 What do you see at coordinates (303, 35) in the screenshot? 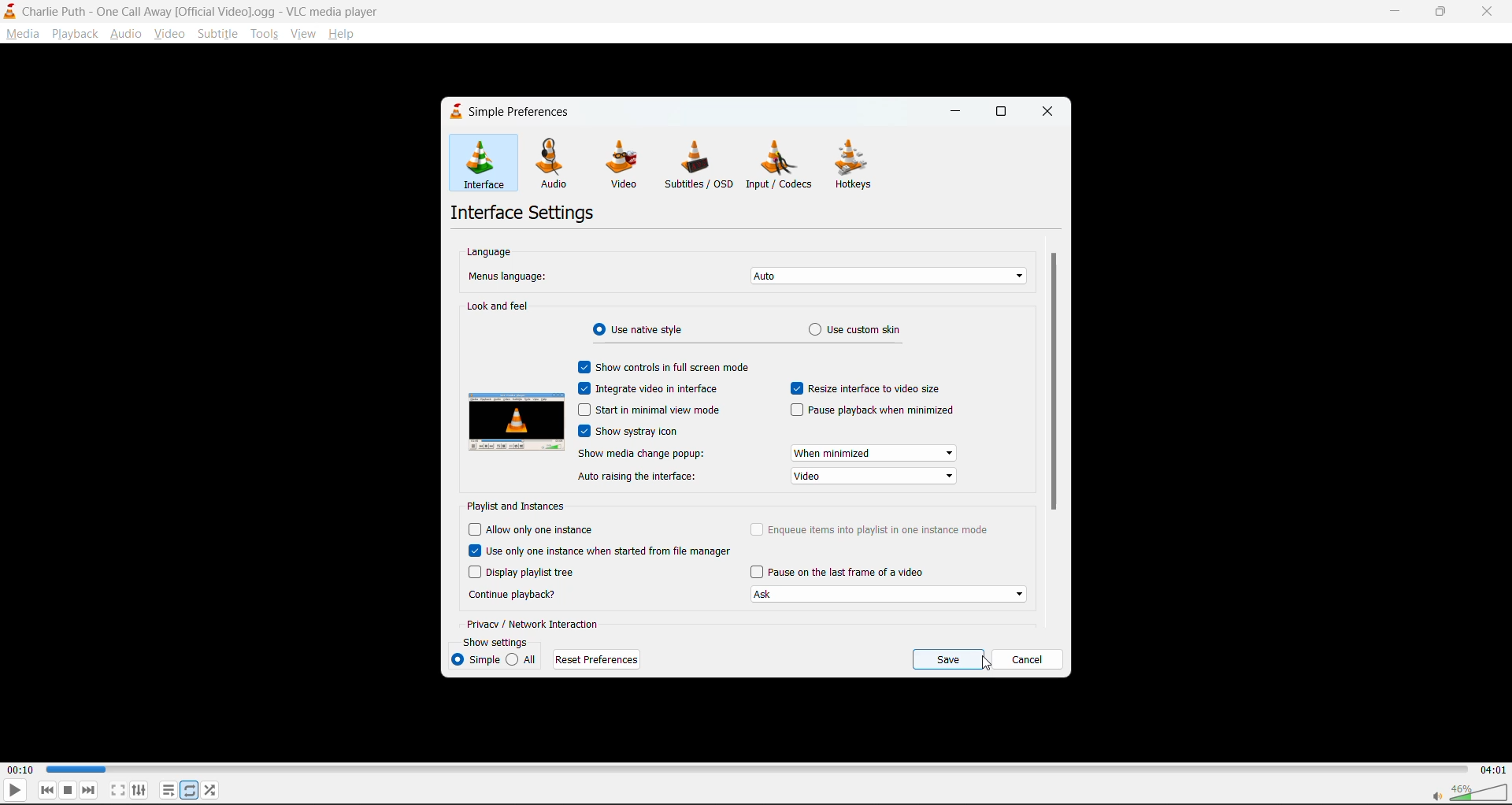
I see `view` at bounding box center [303, 35].